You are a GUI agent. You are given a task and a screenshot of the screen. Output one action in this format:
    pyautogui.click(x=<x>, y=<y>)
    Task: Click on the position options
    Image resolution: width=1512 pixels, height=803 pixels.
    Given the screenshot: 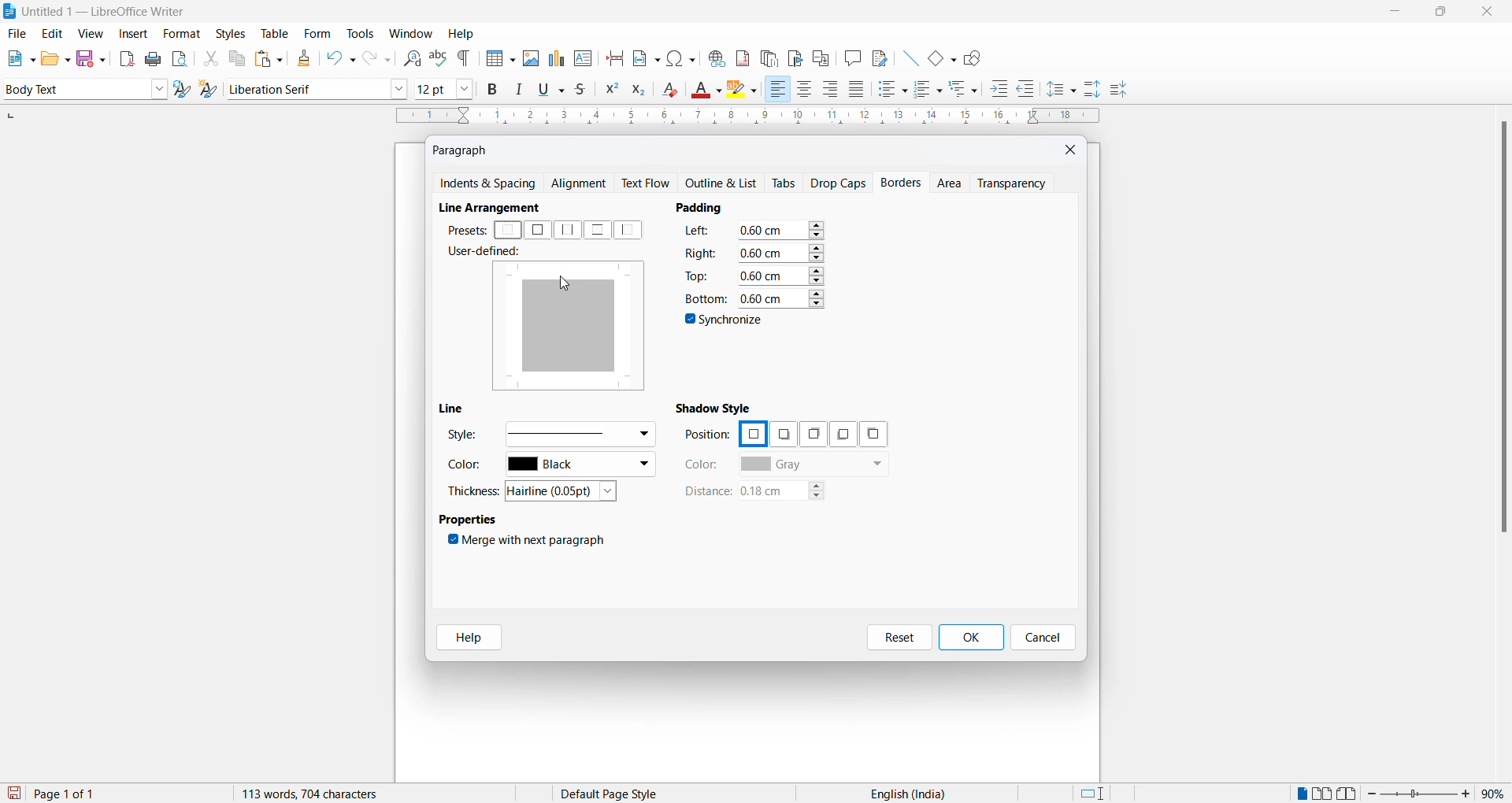 What is the action you would take?
    pyautogui.click(x=752, y=432)
    